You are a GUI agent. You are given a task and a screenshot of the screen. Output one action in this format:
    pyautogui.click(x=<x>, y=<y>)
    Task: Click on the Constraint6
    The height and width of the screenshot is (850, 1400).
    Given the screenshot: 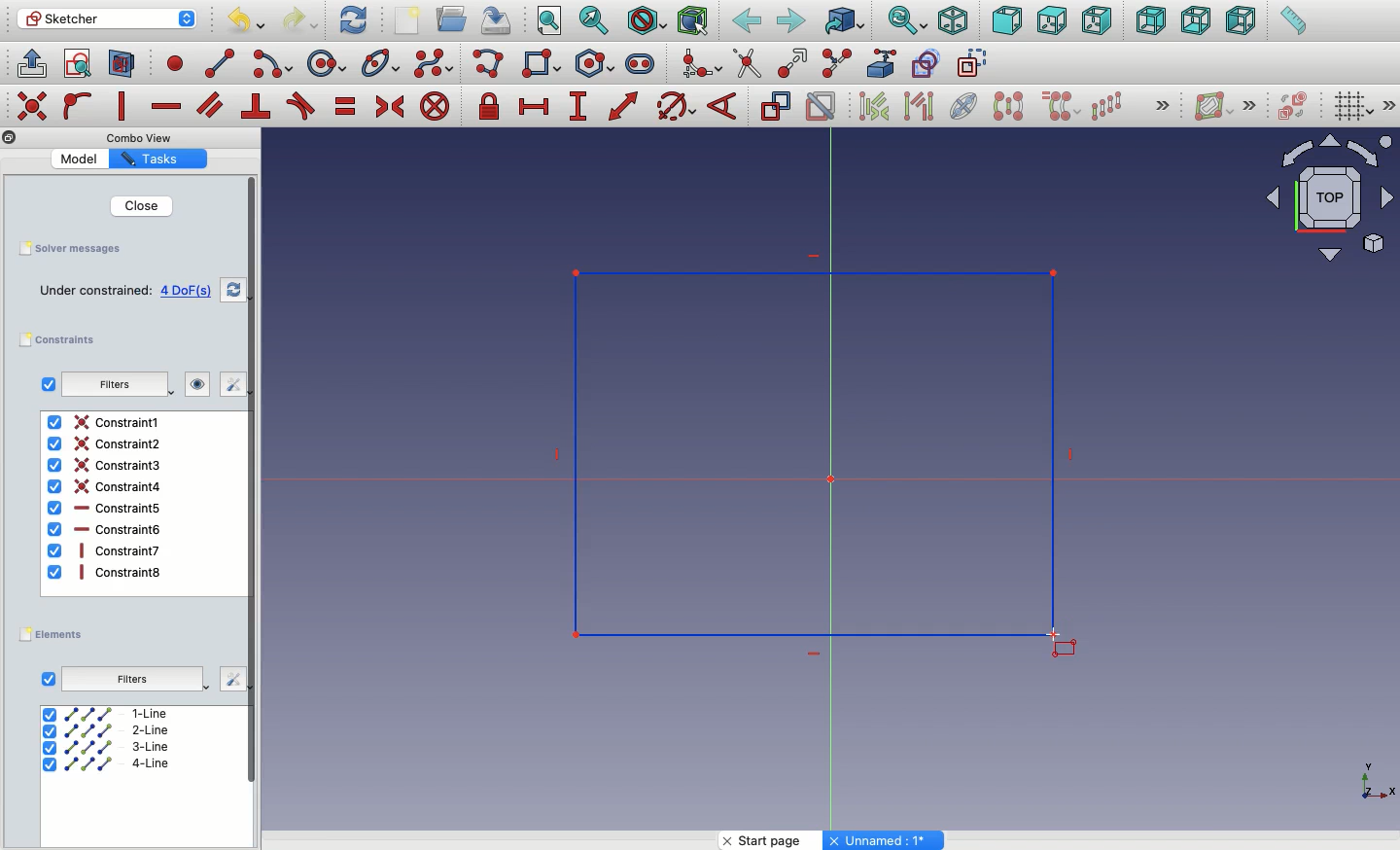 What is the action you would take?
    pyautogui.click(x=105, y=529)
    